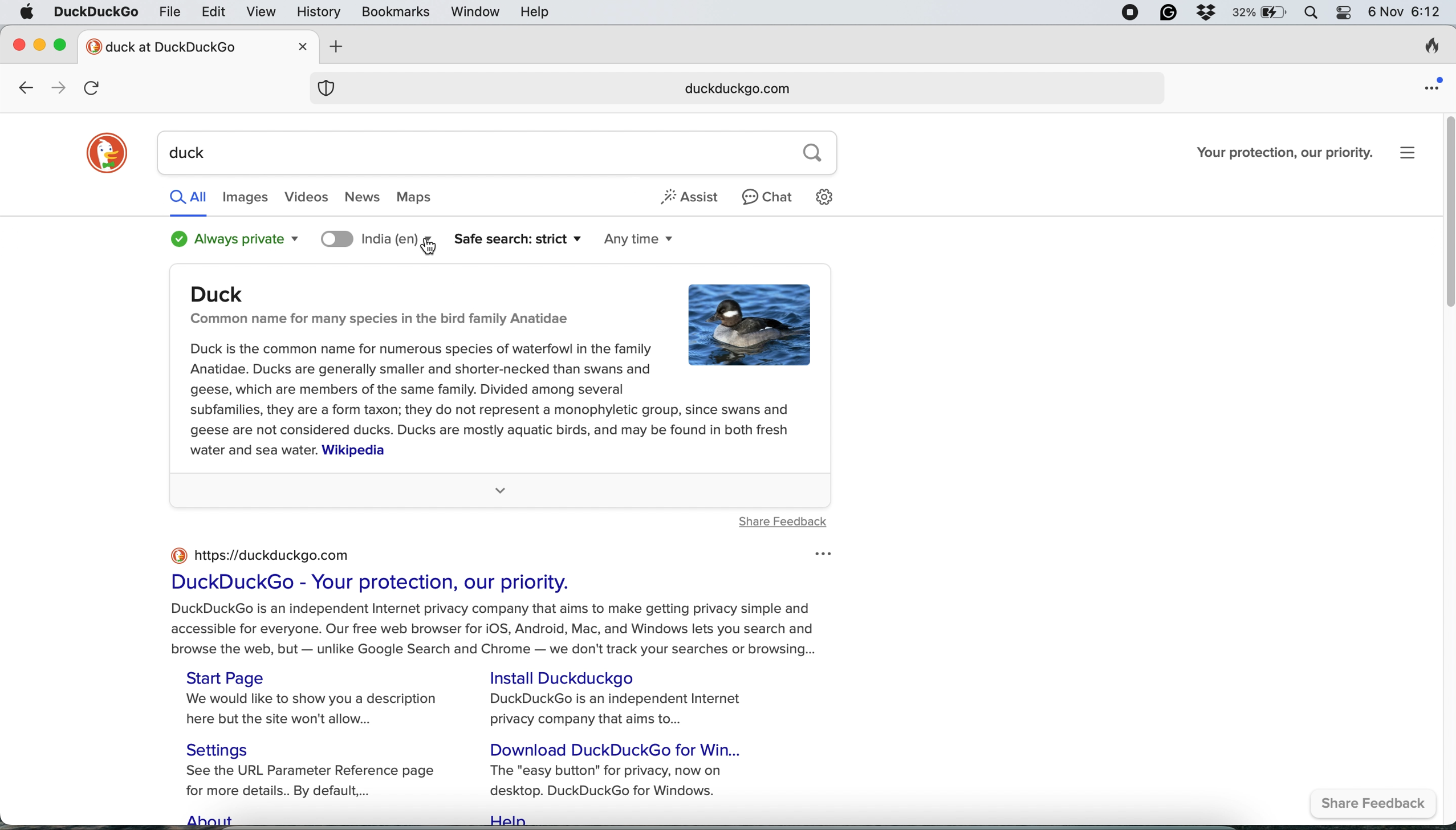 Image resolution: width=1456 pixels, height=830 pixels. I want to click on share feedback, so click(783, 521).